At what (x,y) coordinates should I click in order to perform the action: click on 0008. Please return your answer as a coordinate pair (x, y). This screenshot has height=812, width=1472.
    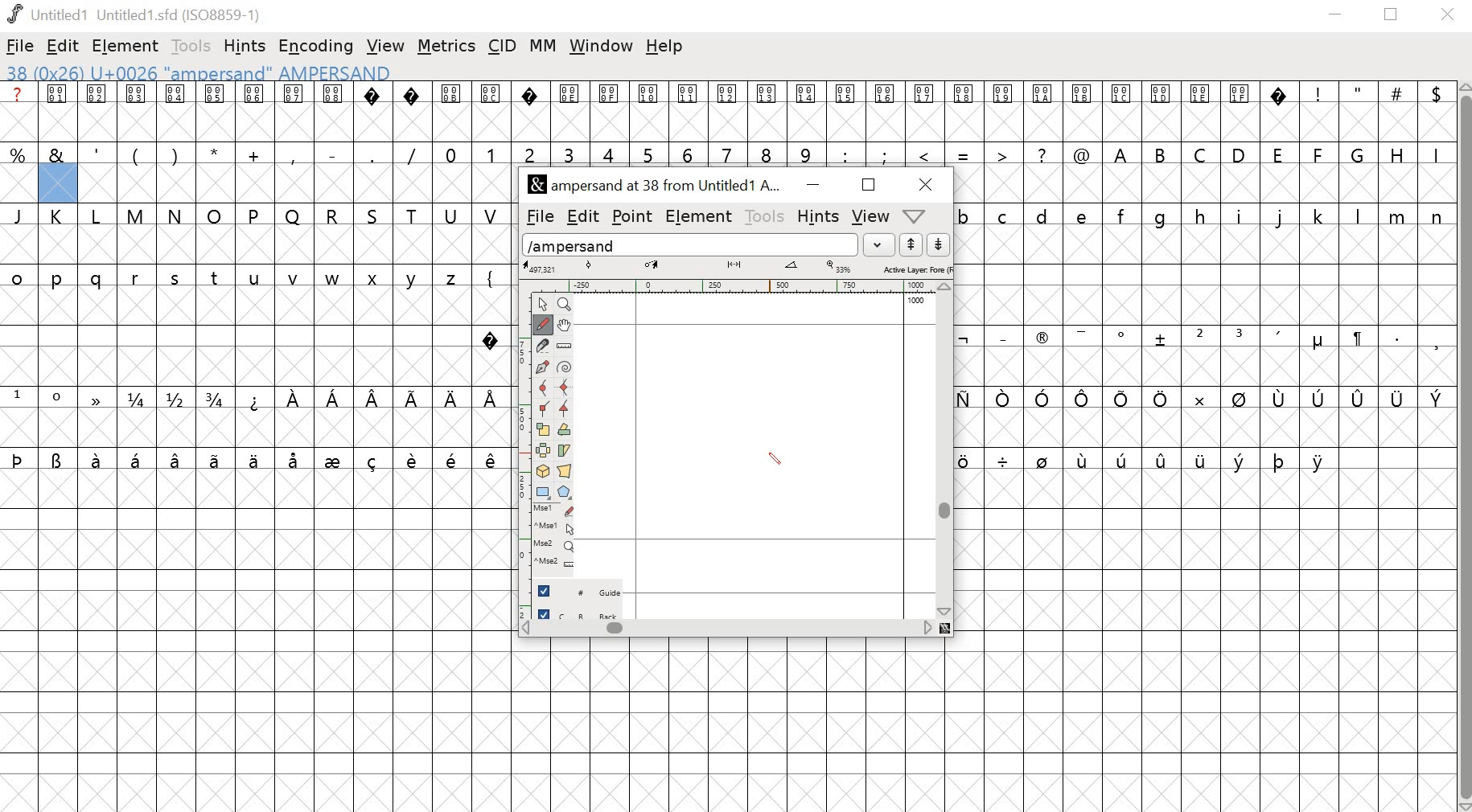
    Looking at the image, I should click on (332, 110).